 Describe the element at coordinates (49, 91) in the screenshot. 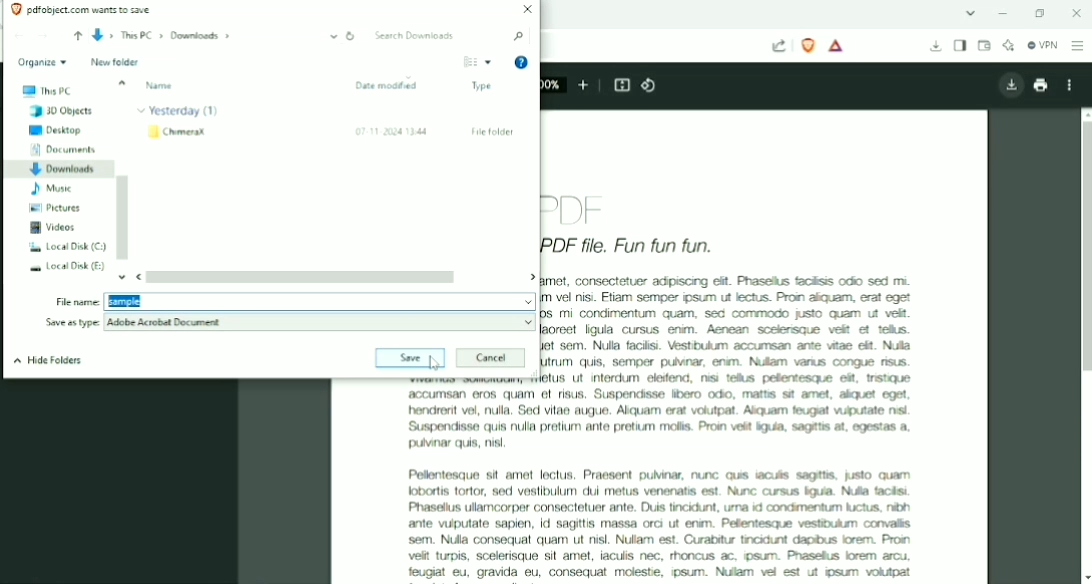

I see `This PC` at that location.